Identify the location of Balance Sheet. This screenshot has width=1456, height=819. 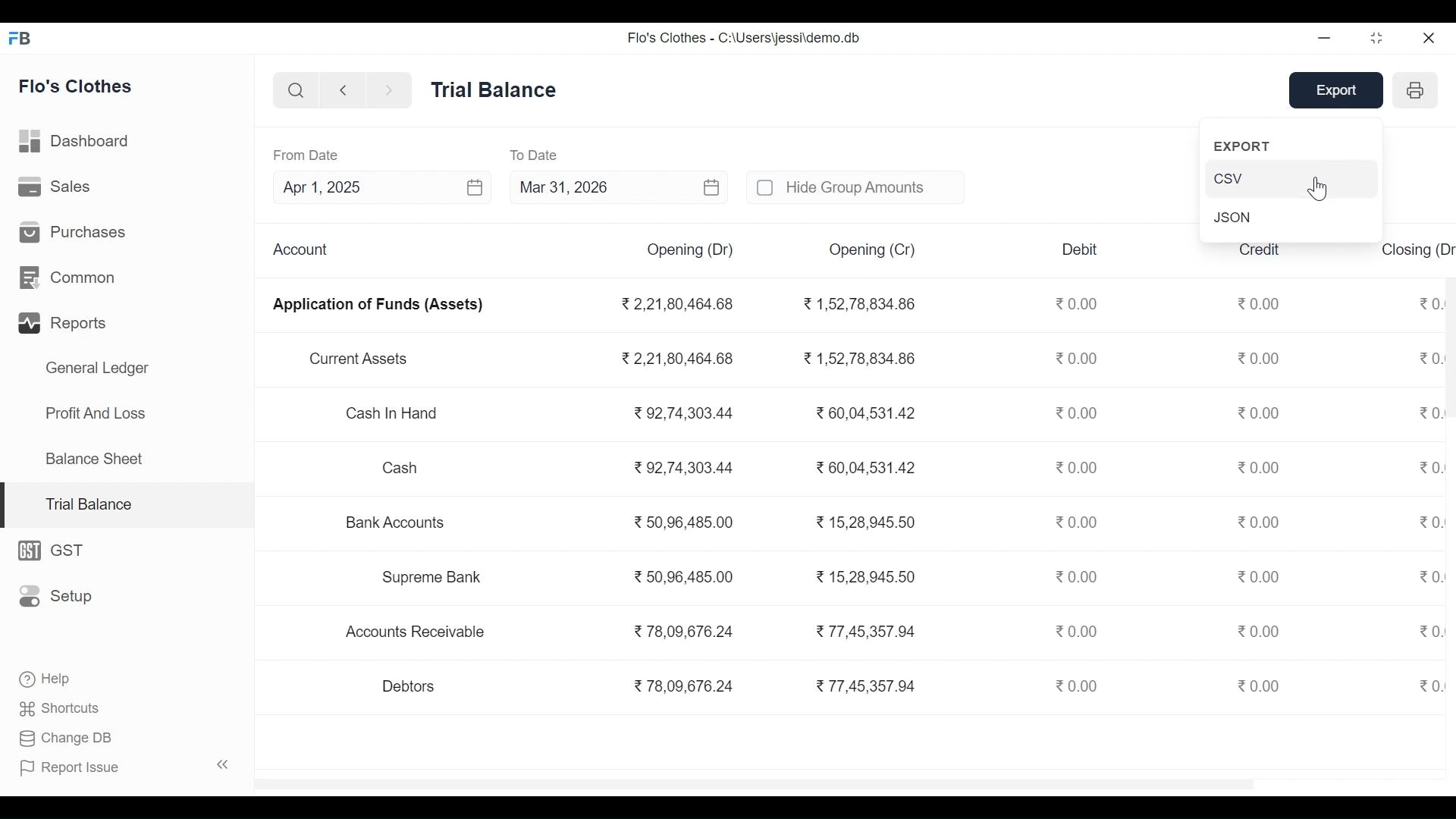
(96, 458).